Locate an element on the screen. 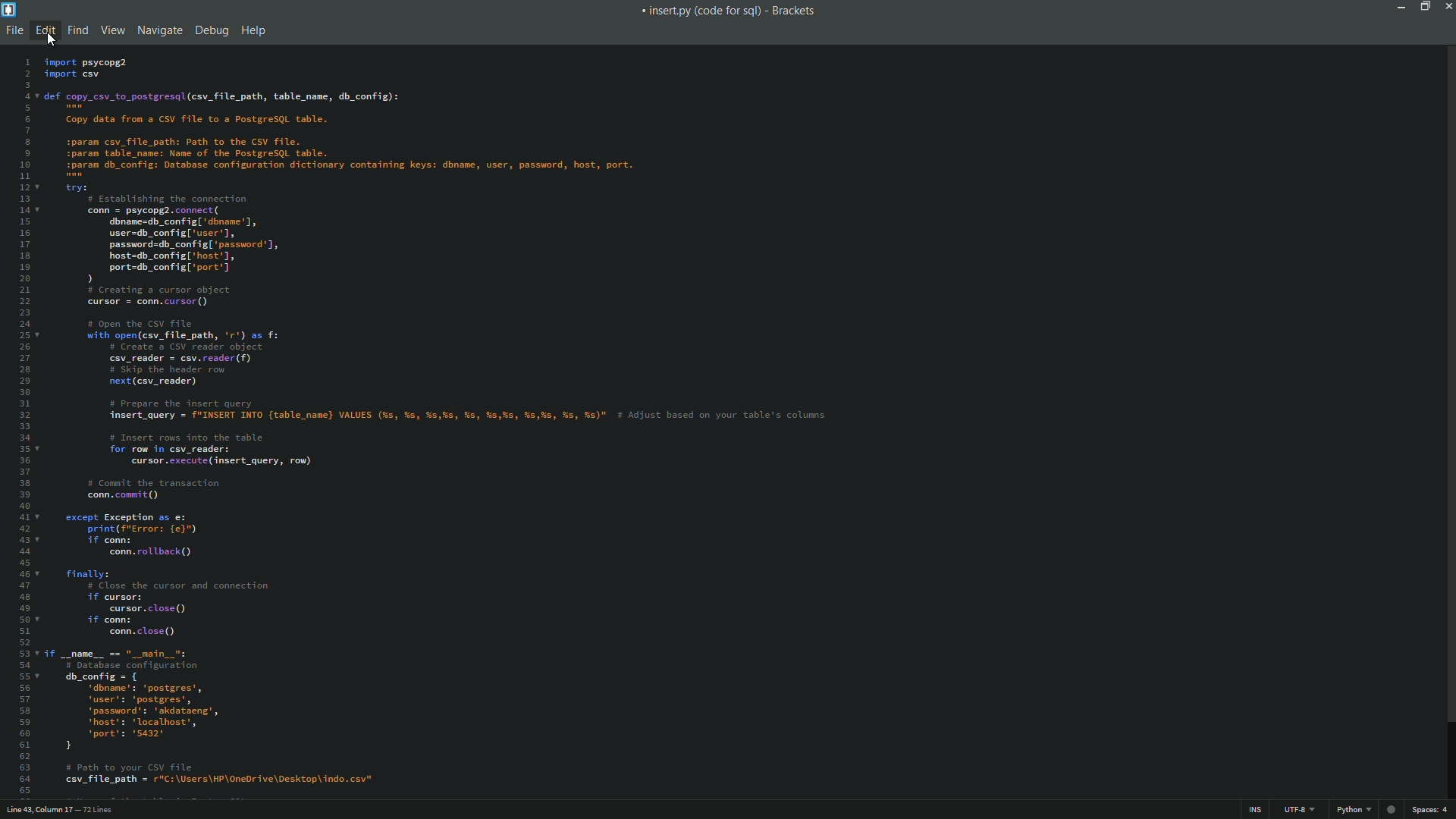  app icon is located at coordinates (10, 10).